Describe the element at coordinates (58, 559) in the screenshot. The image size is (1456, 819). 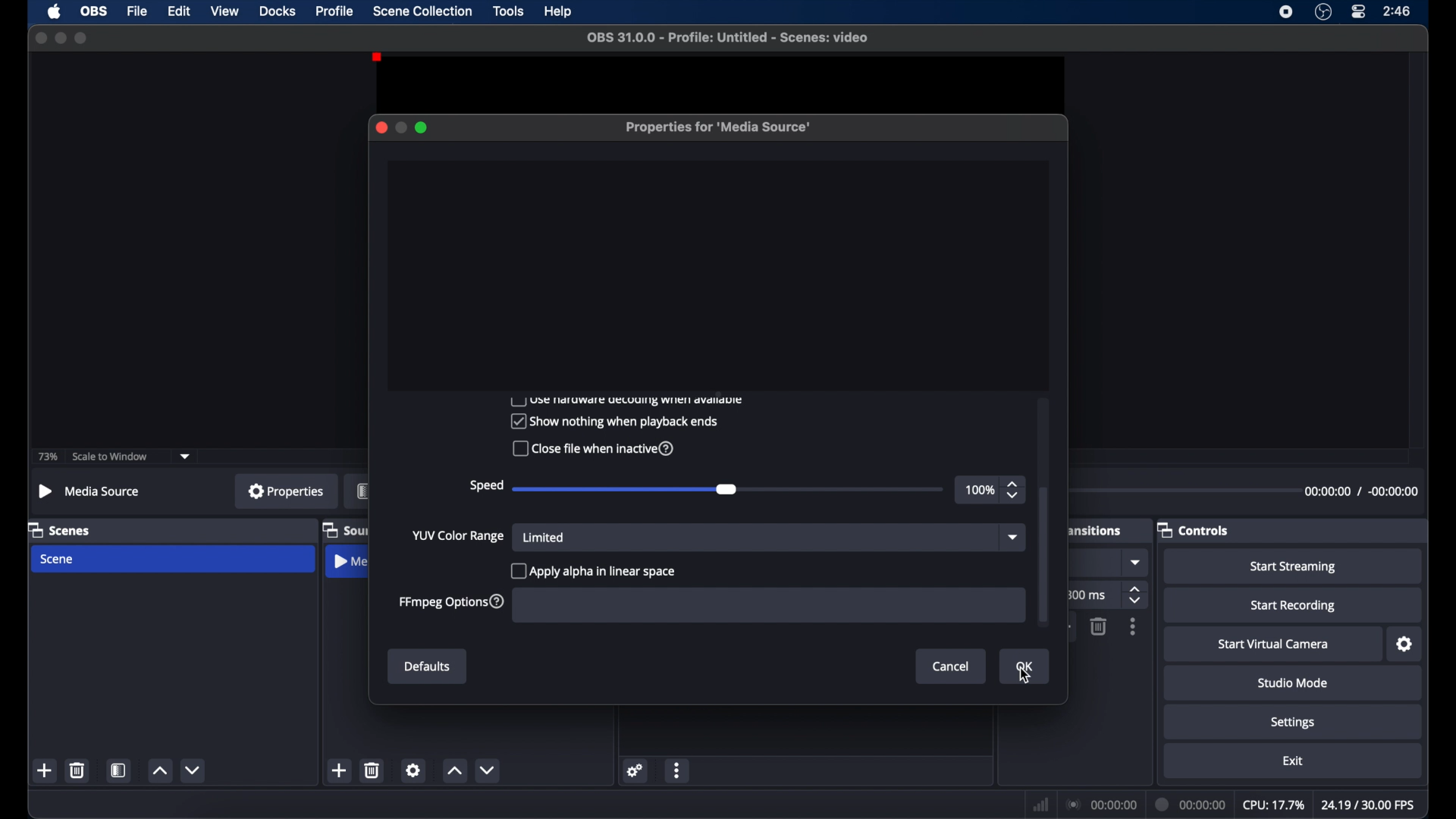
I see `scene` at that location.